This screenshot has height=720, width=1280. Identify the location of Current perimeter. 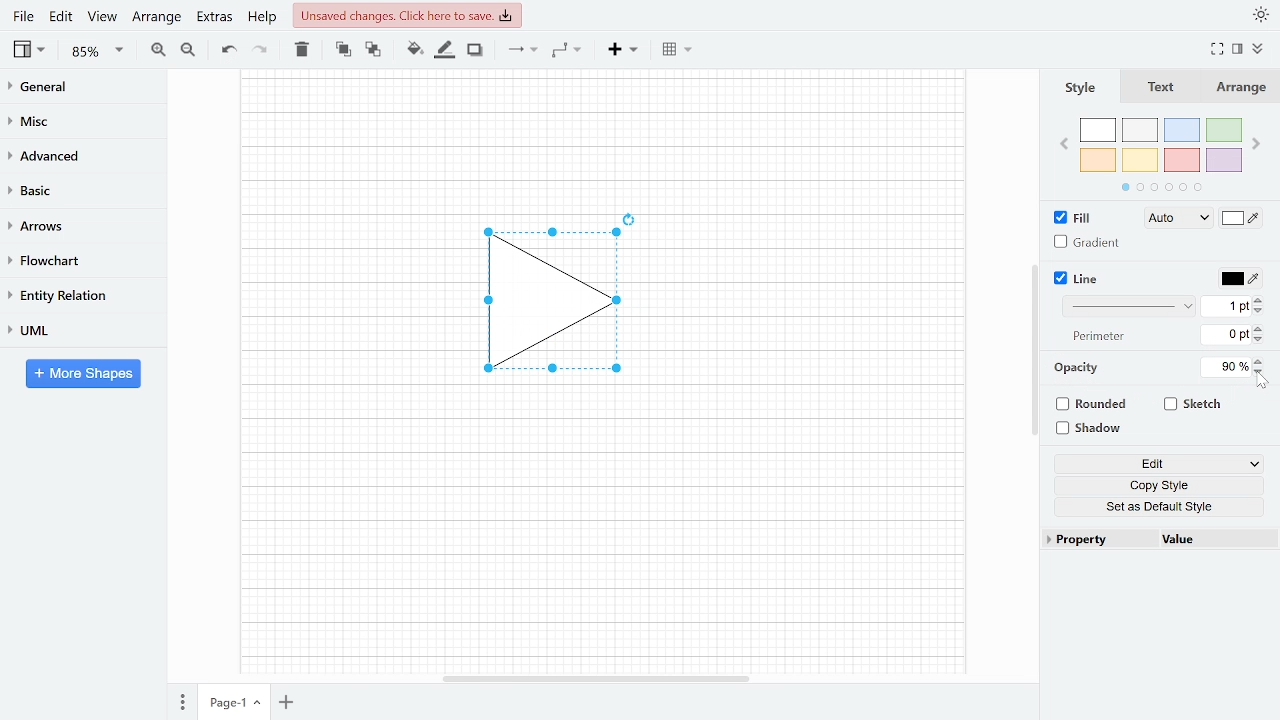
(1226, 337).